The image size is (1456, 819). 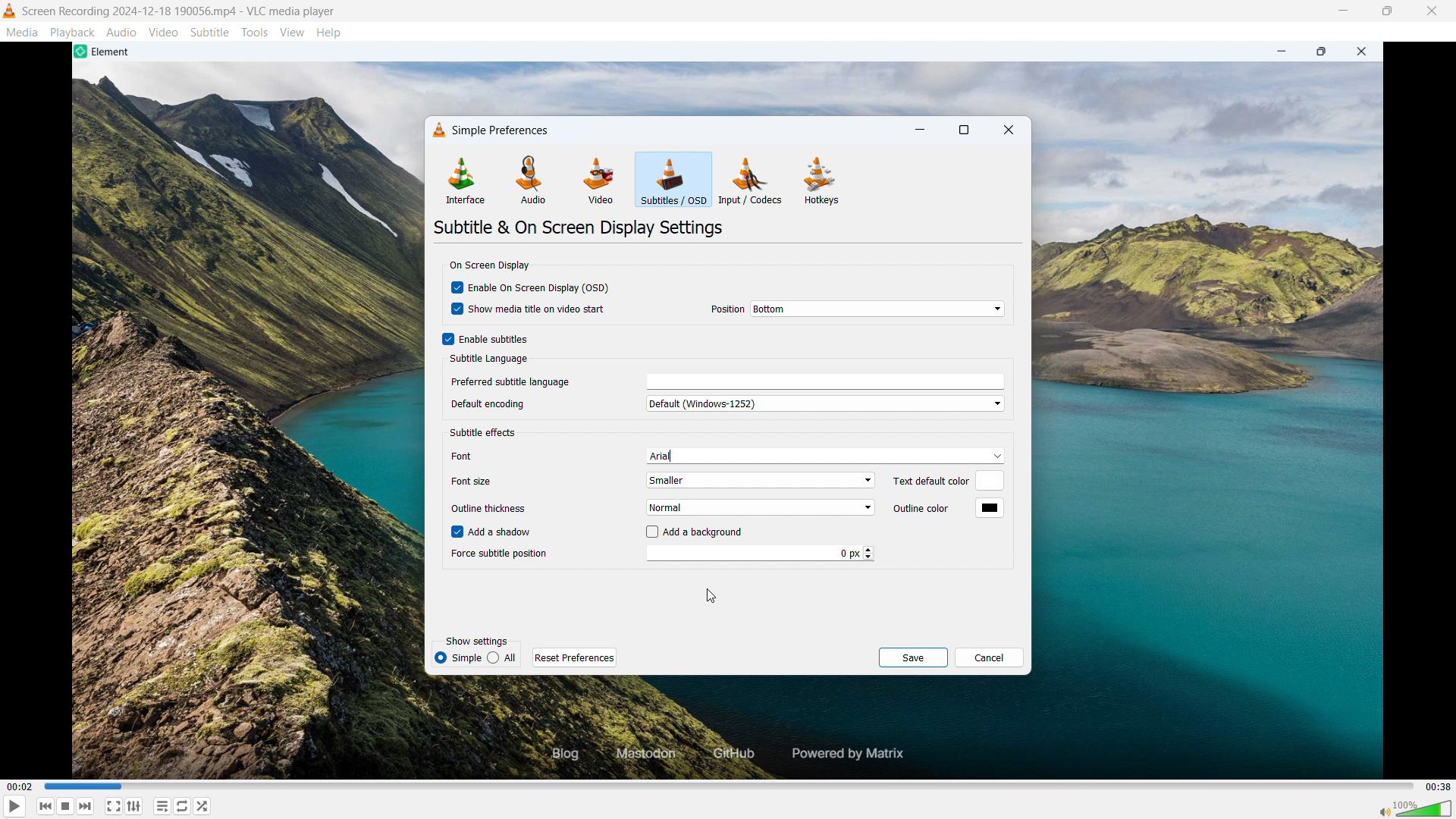 What do you see at coordinates (575, 657) in the screenshot?
I see `reset prferencese` at bounding box center [575, 657].